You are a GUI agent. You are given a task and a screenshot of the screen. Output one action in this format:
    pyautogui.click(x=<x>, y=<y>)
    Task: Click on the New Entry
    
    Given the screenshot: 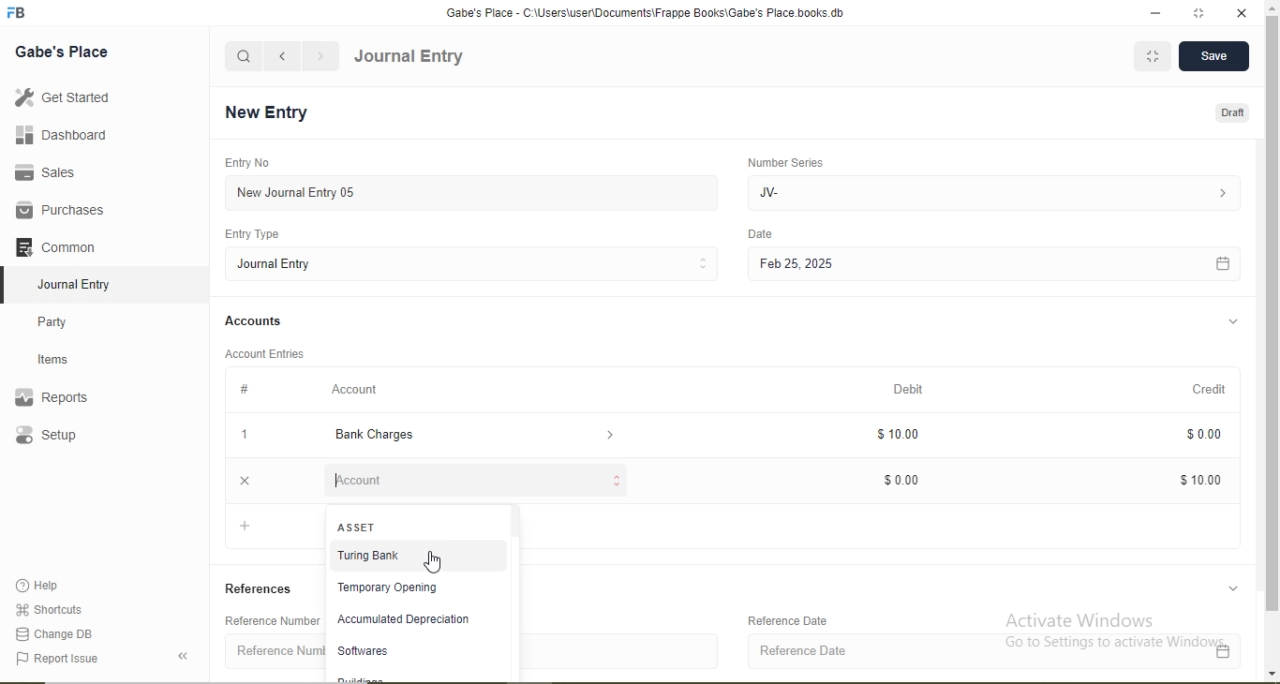 What is the action you would take?
    pyautogui.click(x=272, y=113)
    